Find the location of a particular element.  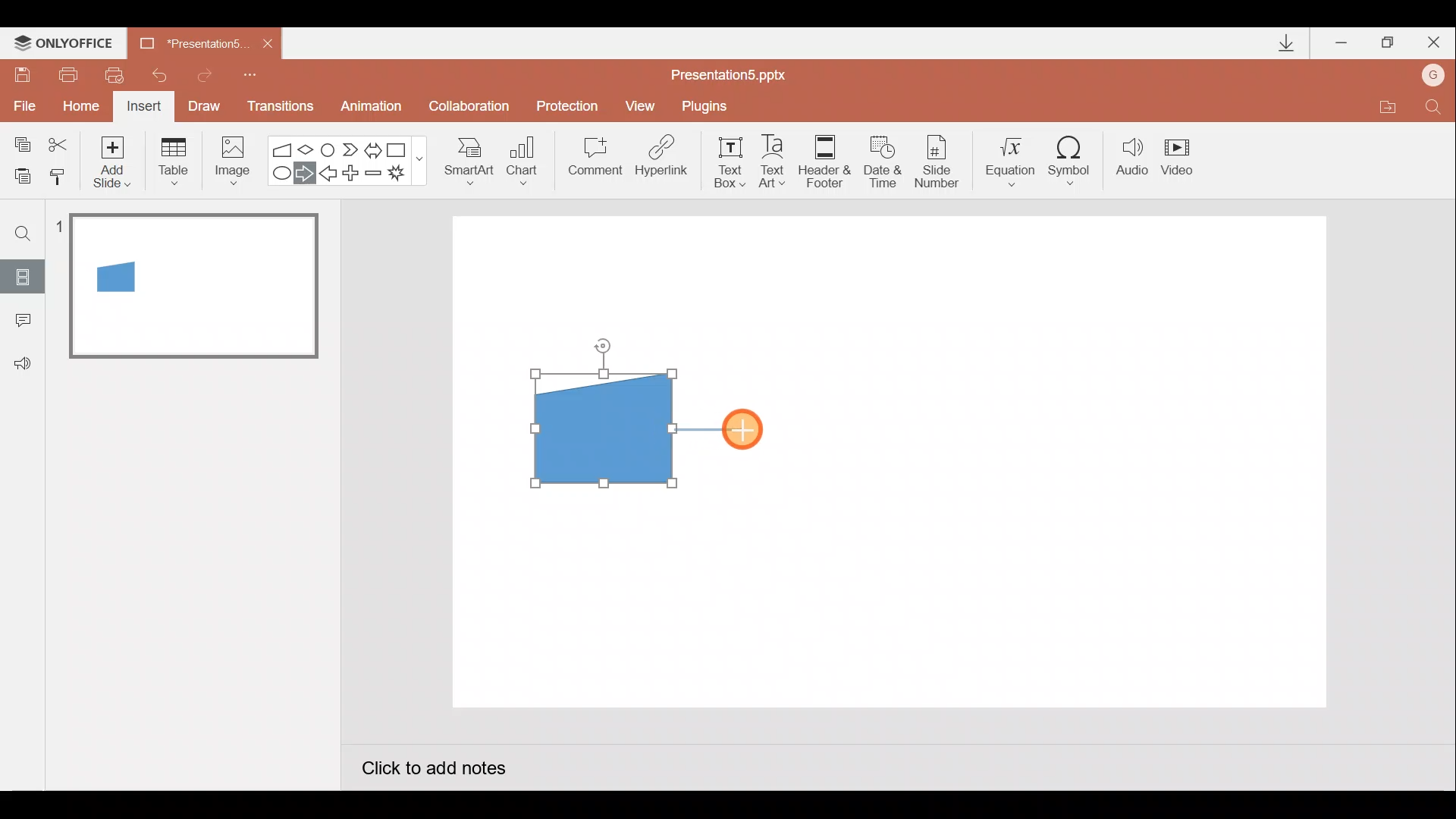

Explosion 1 is located at coordinates (406, 175).